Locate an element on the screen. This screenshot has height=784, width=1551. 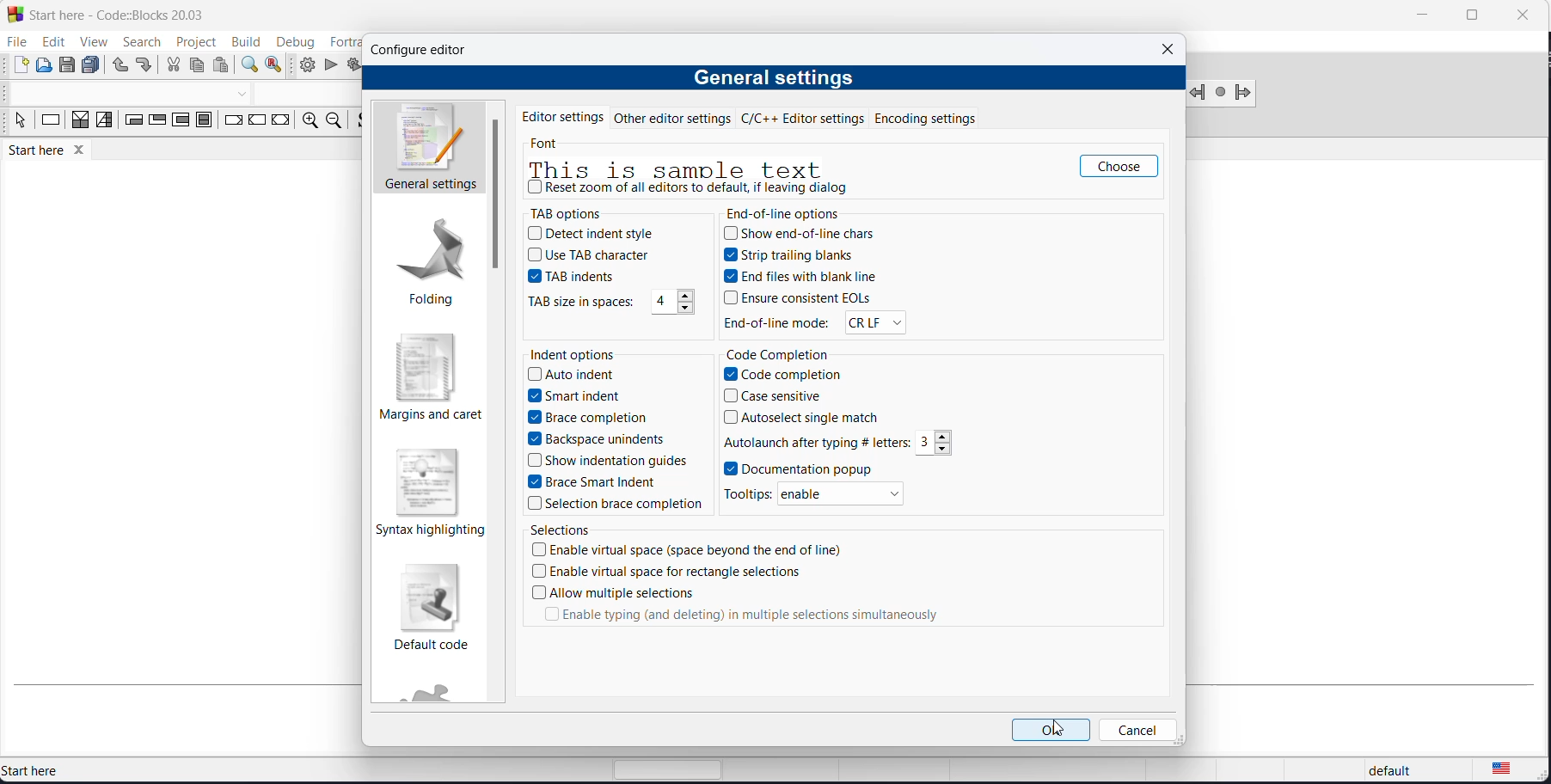
sample text is located at coordinates (673, 169).